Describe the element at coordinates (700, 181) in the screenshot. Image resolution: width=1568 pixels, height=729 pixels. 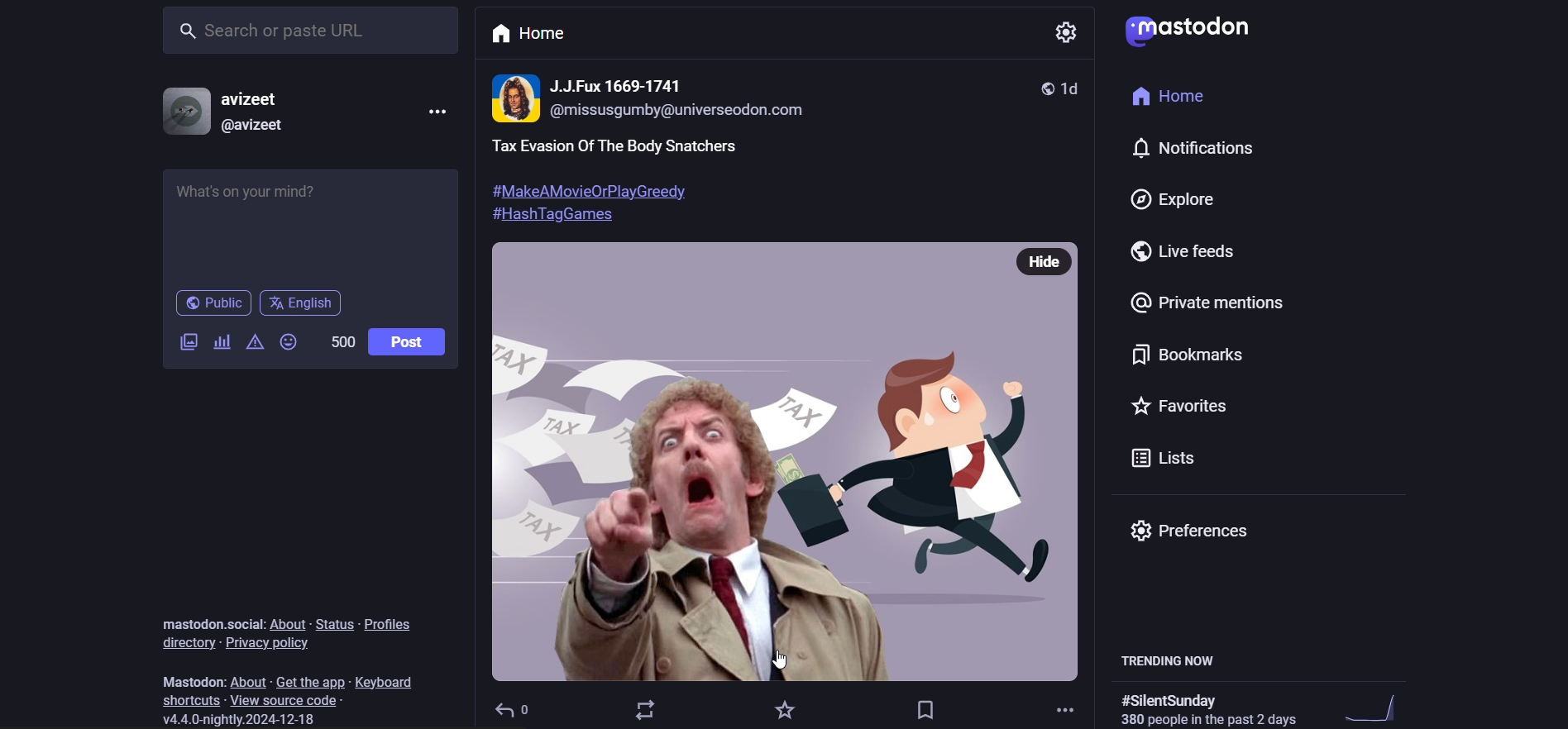
I see `post` at that location.